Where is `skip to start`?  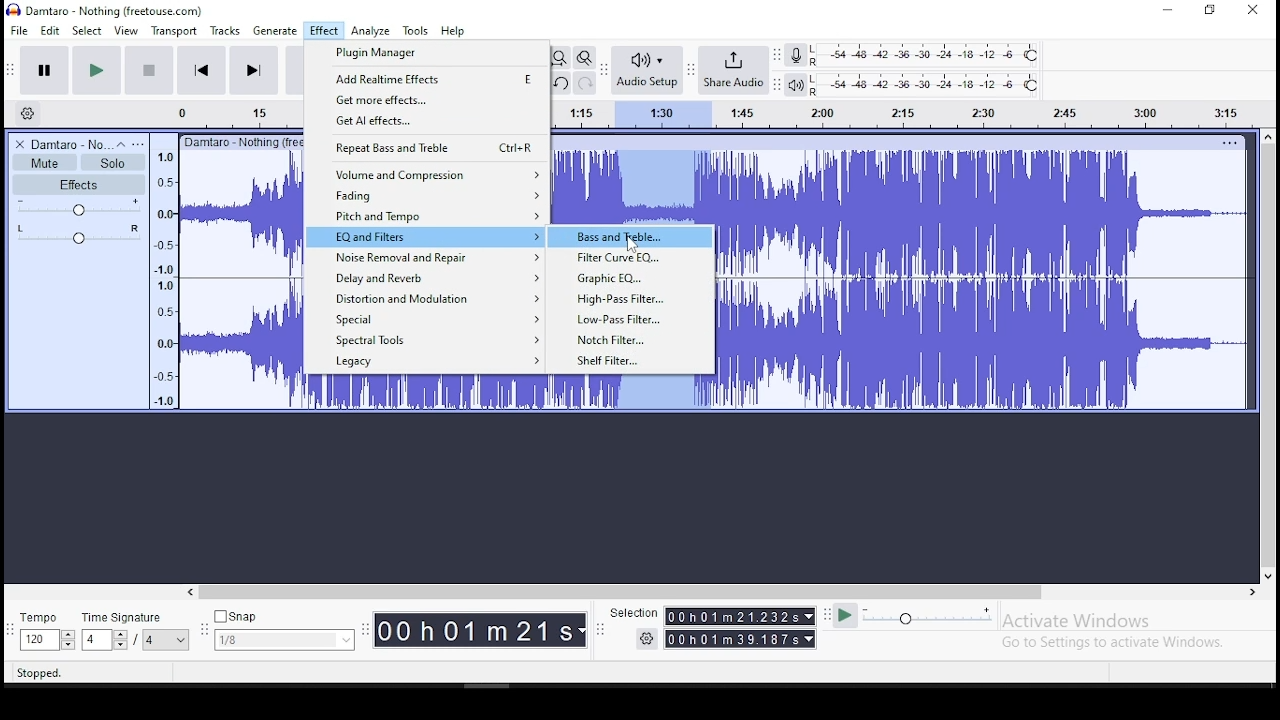 skip to start is located at coordinates (202, 69).